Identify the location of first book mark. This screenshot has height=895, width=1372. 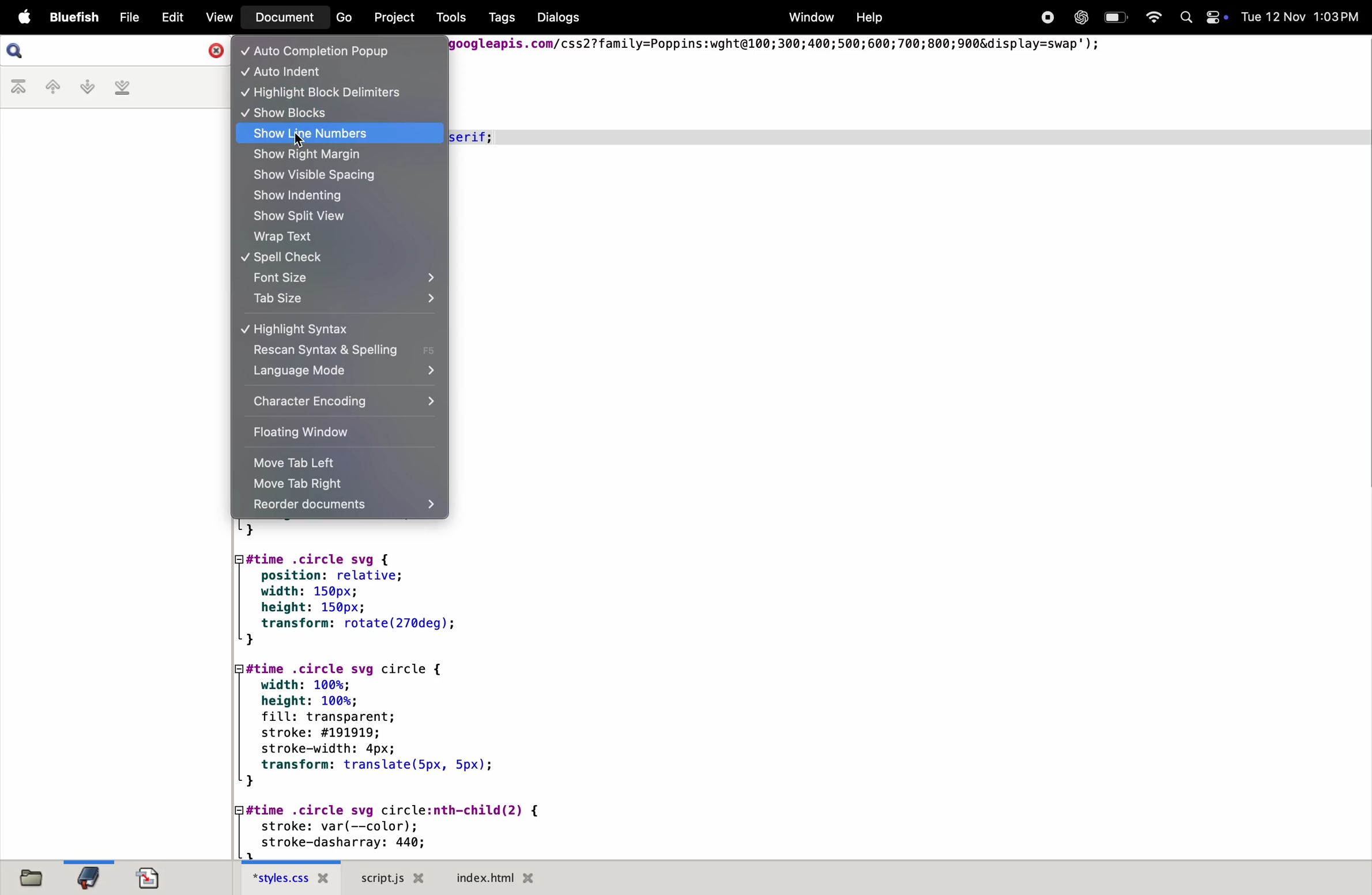
(18, 88).